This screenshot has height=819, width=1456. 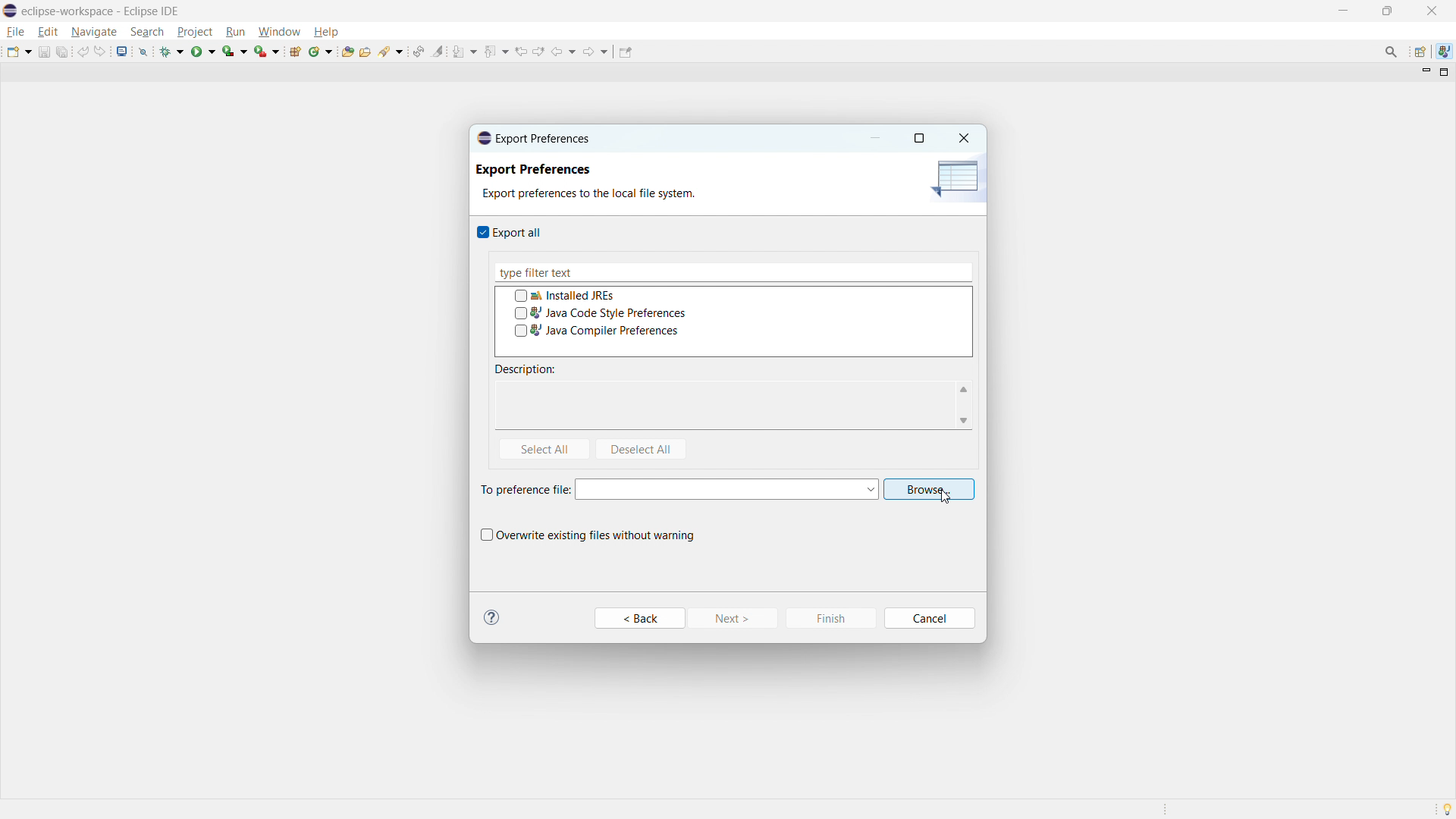 What do you see at coordinates (494, 619) in the screenshot?
I see `Information` at bounding box center [494, 619].